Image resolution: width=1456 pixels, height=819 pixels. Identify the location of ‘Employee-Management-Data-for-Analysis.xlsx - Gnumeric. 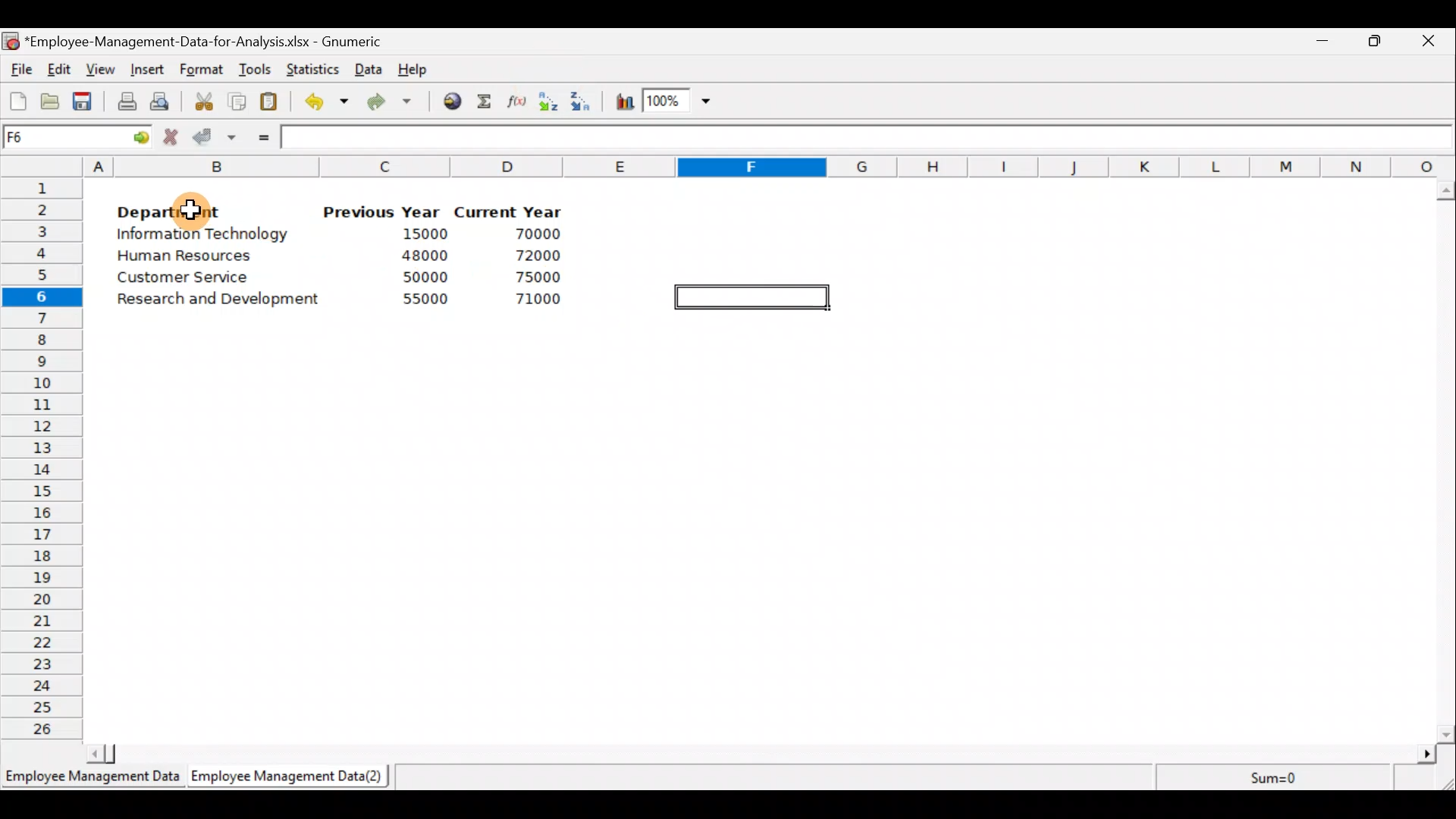
(208, 40).